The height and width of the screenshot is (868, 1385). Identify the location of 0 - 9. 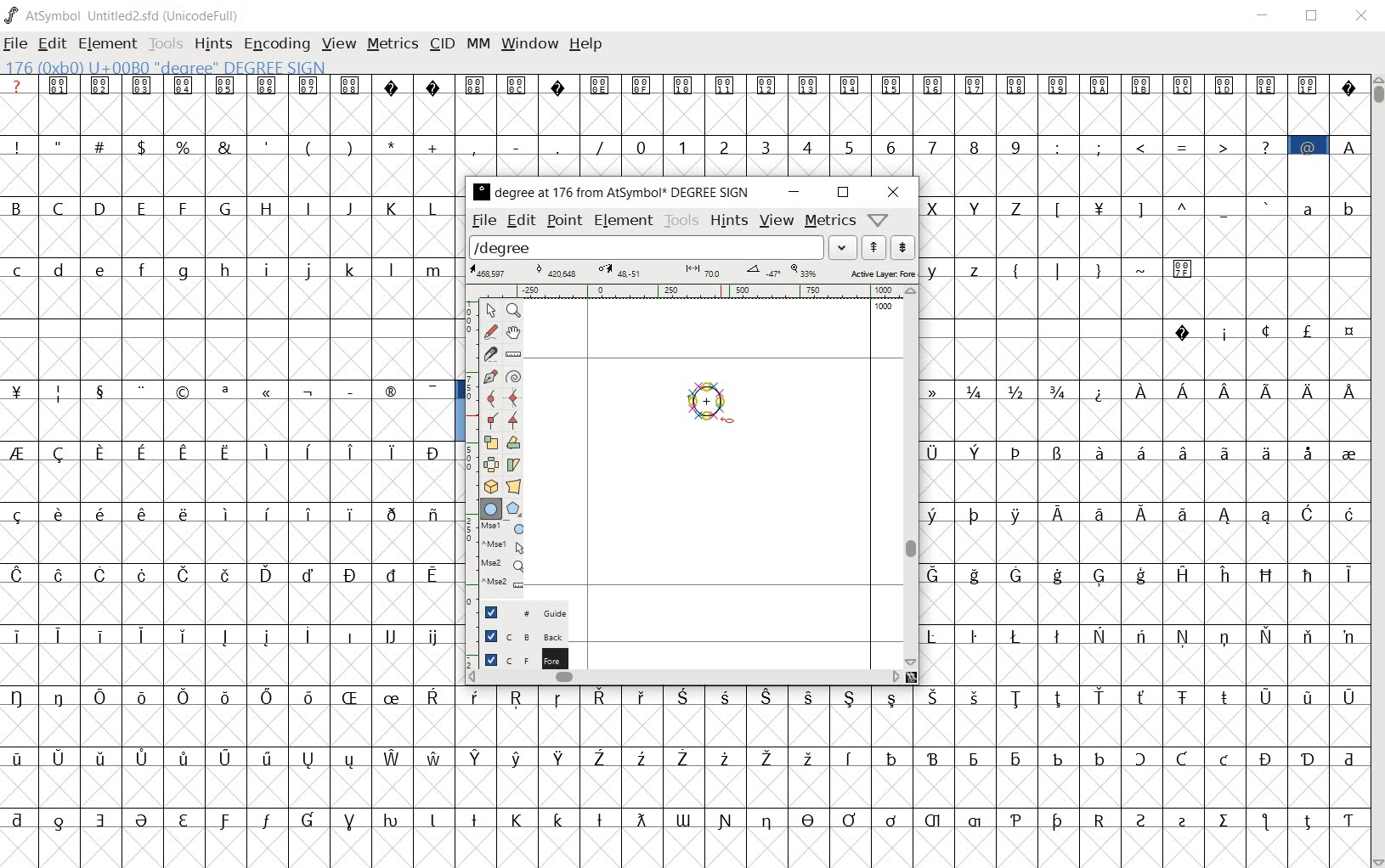
(825, 145).